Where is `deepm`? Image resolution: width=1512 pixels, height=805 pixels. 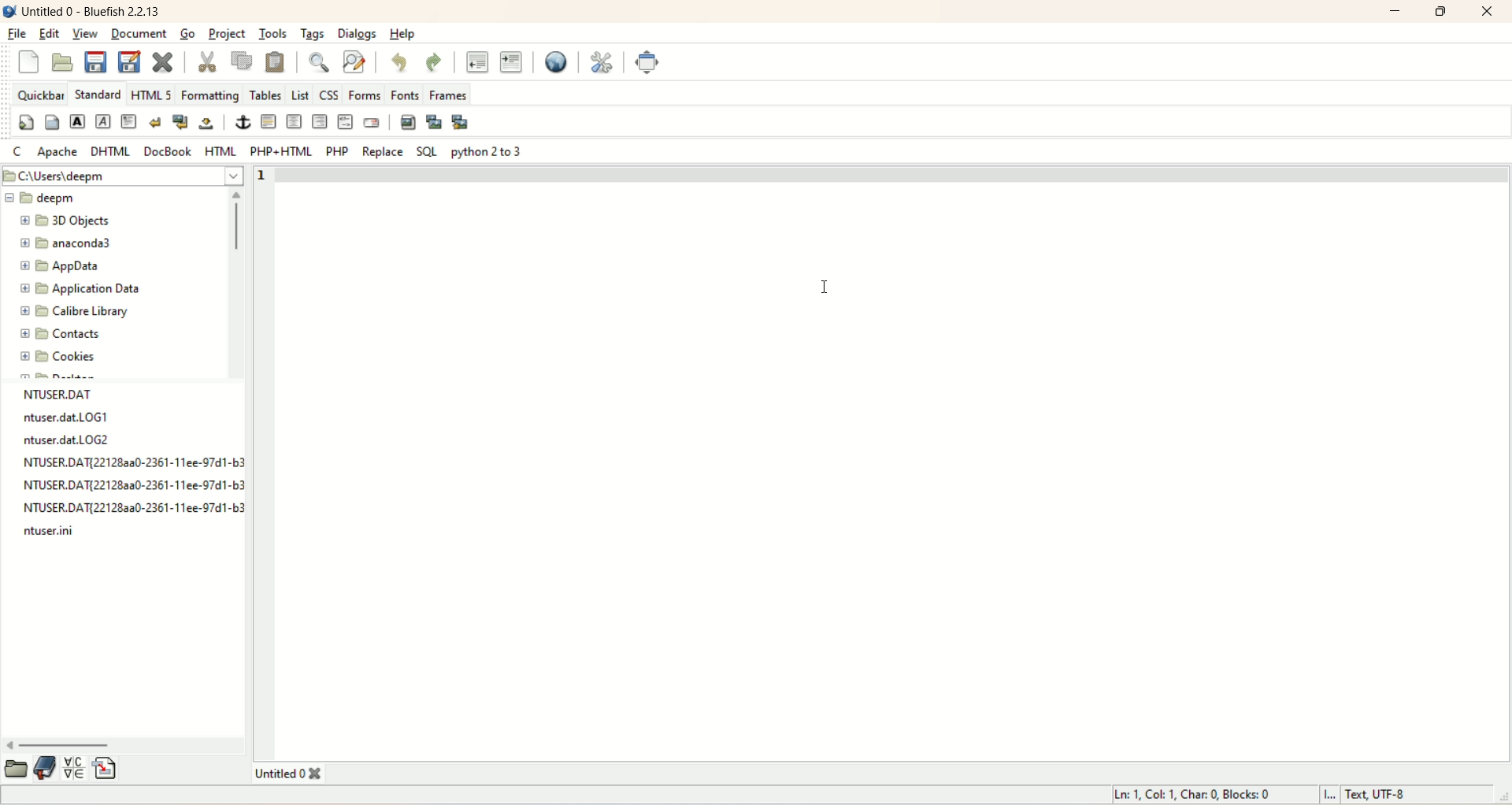 deepm is located at coordinates (44, 198).